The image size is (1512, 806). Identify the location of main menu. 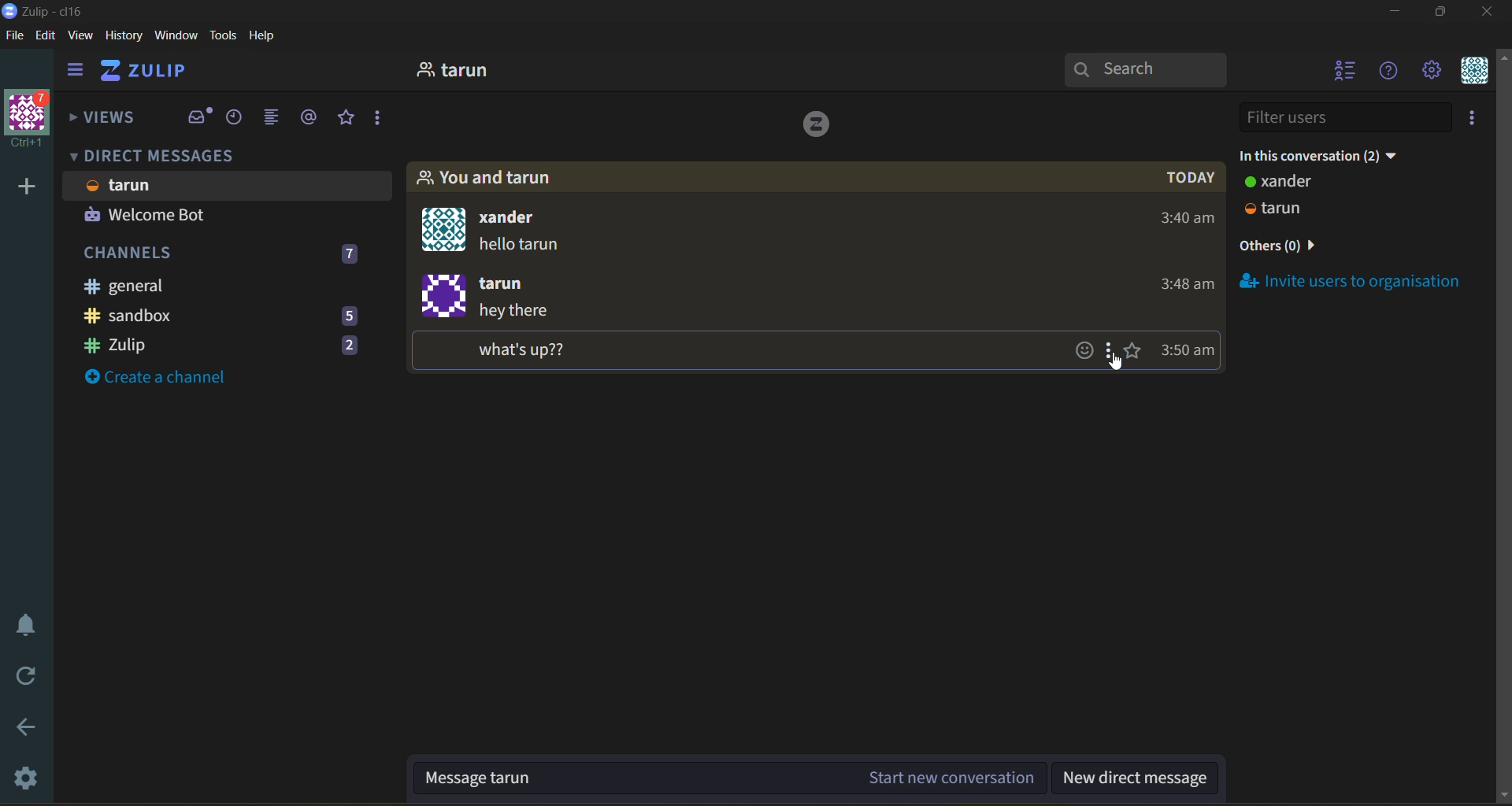
(1431, 72).